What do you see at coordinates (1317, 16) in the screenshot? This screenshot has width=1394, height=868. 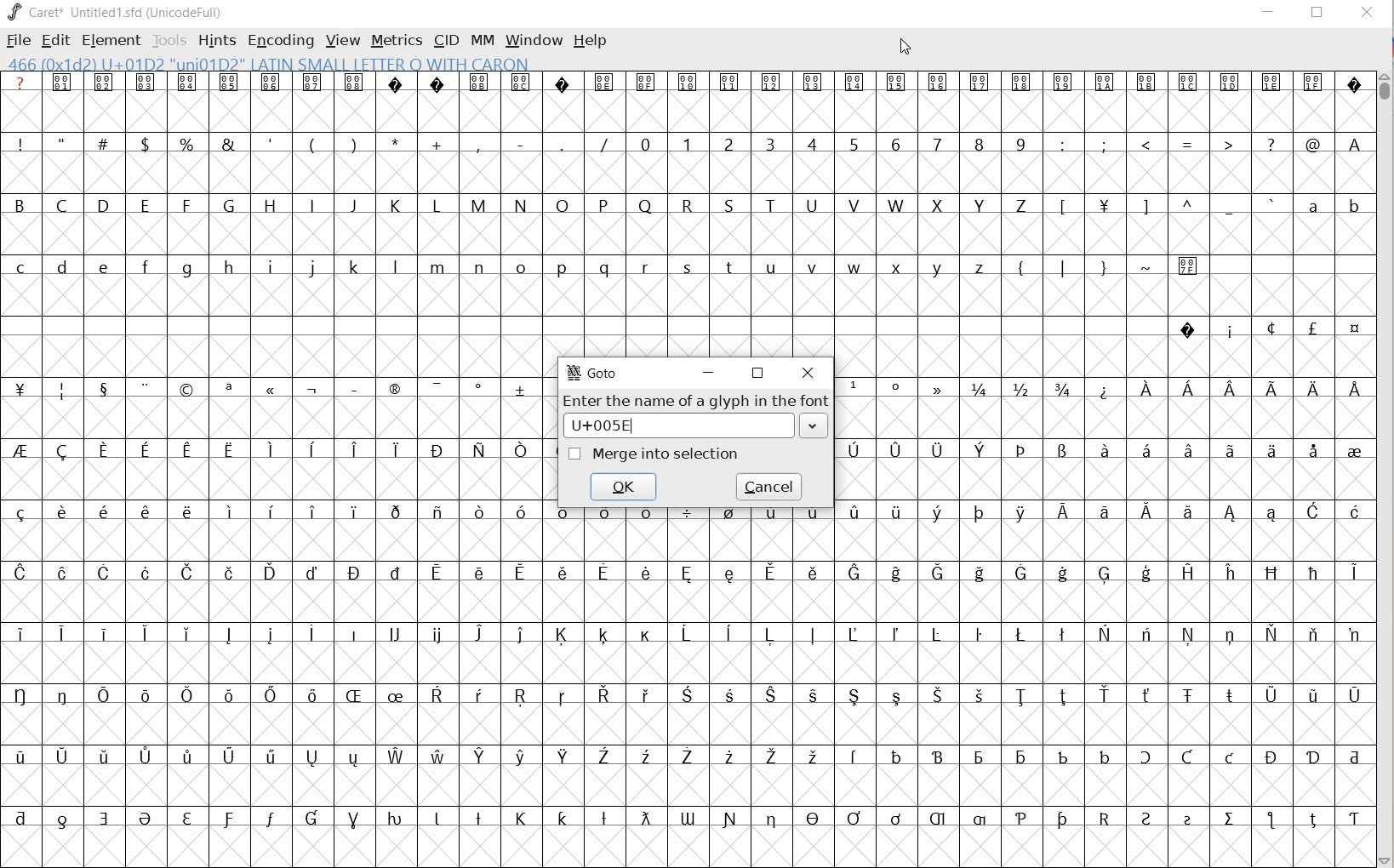 I see `RESTORE DOWN` at bounding box center [1317, 16].